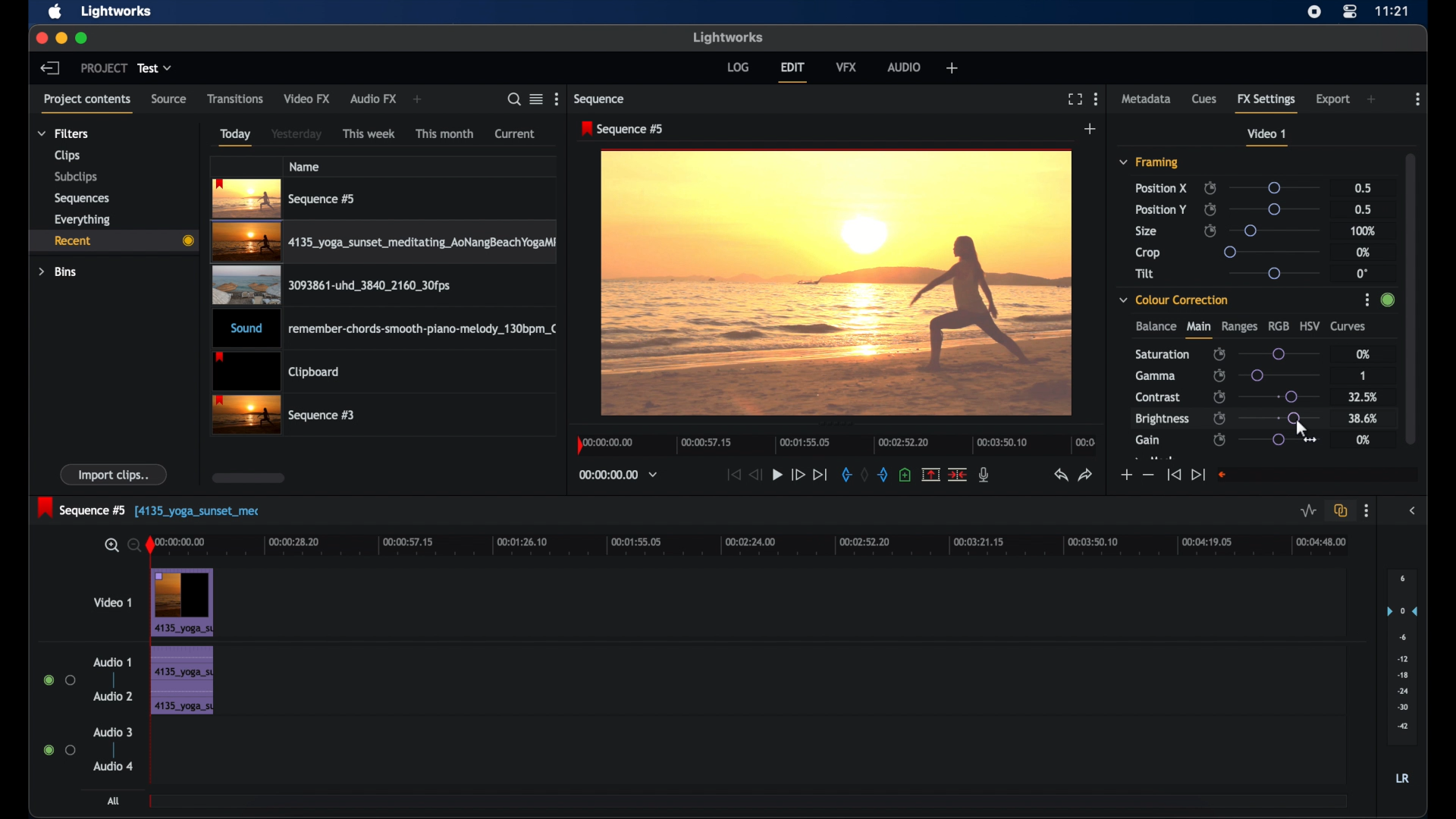  Describe the element at coordinates (1366, 511) in the screenshot. I see `more options` at that location.